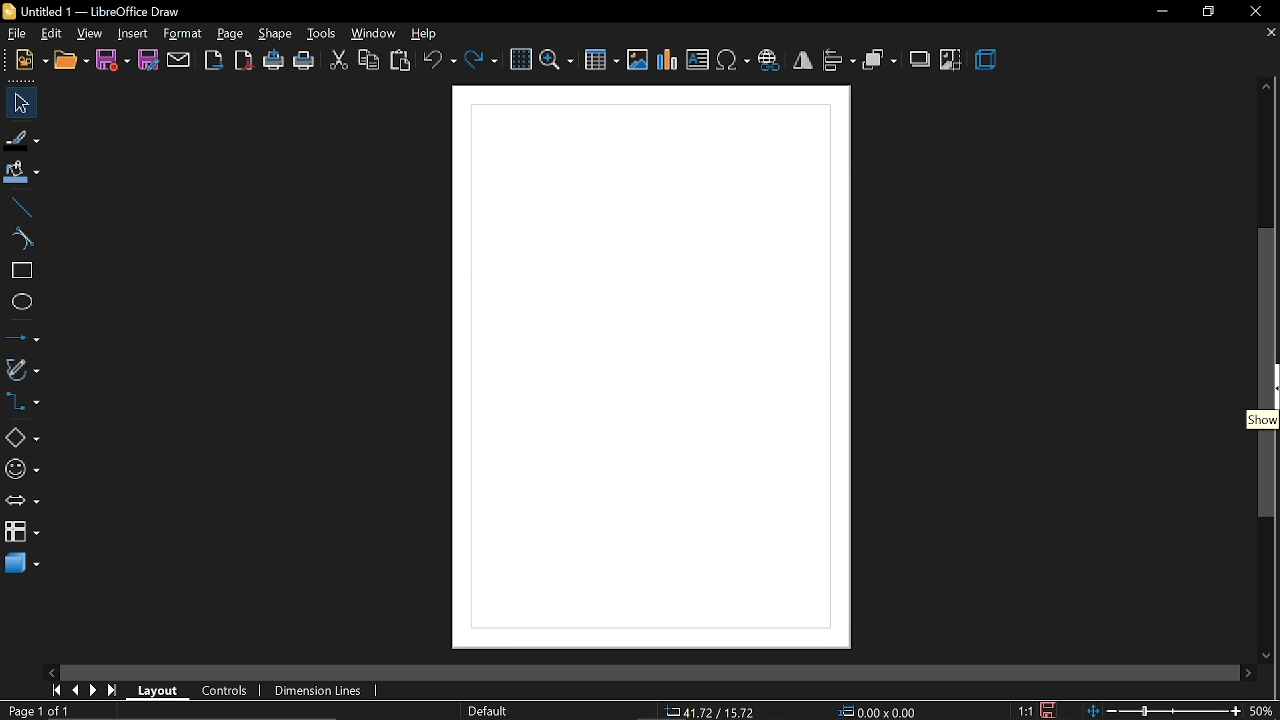 This screenshot has width=1280, height=720. I want to click on curve, so click(18, 238).